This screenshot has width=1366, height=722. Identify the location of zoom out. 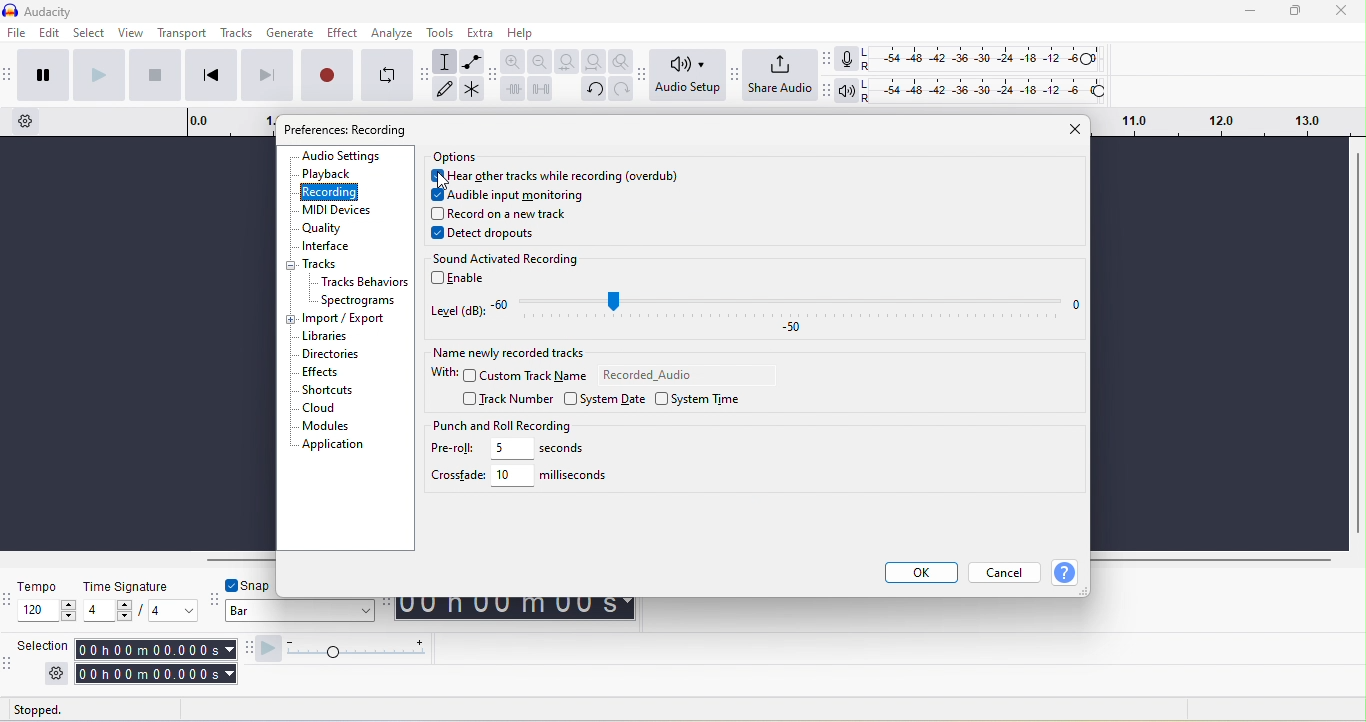
(538, 62).